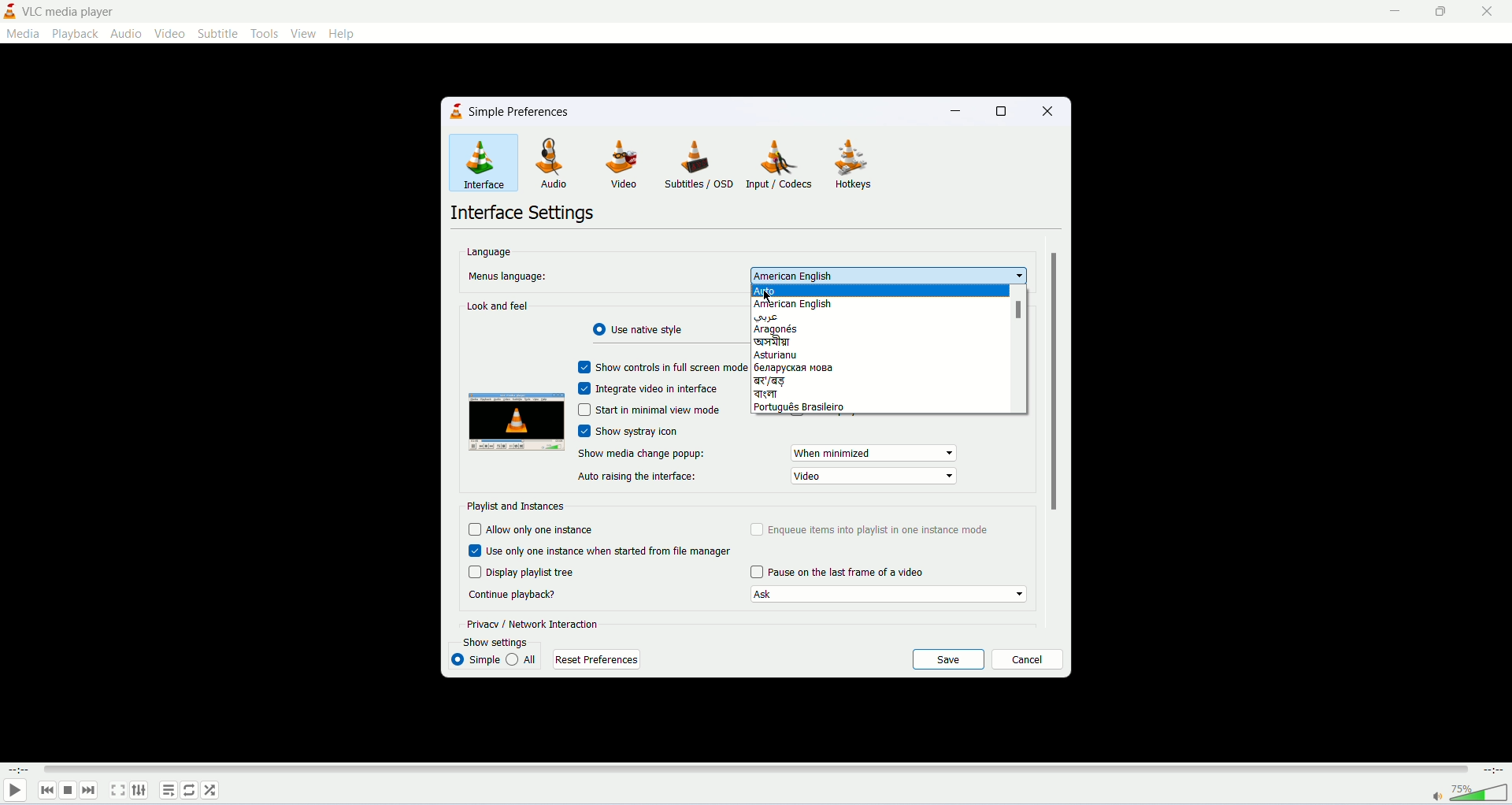 The height and width of the screenshot is (805, 1512). What do you see at coordinates (49, 792) in the screenshot?
I see `previous` at bounding box center [49, 792].